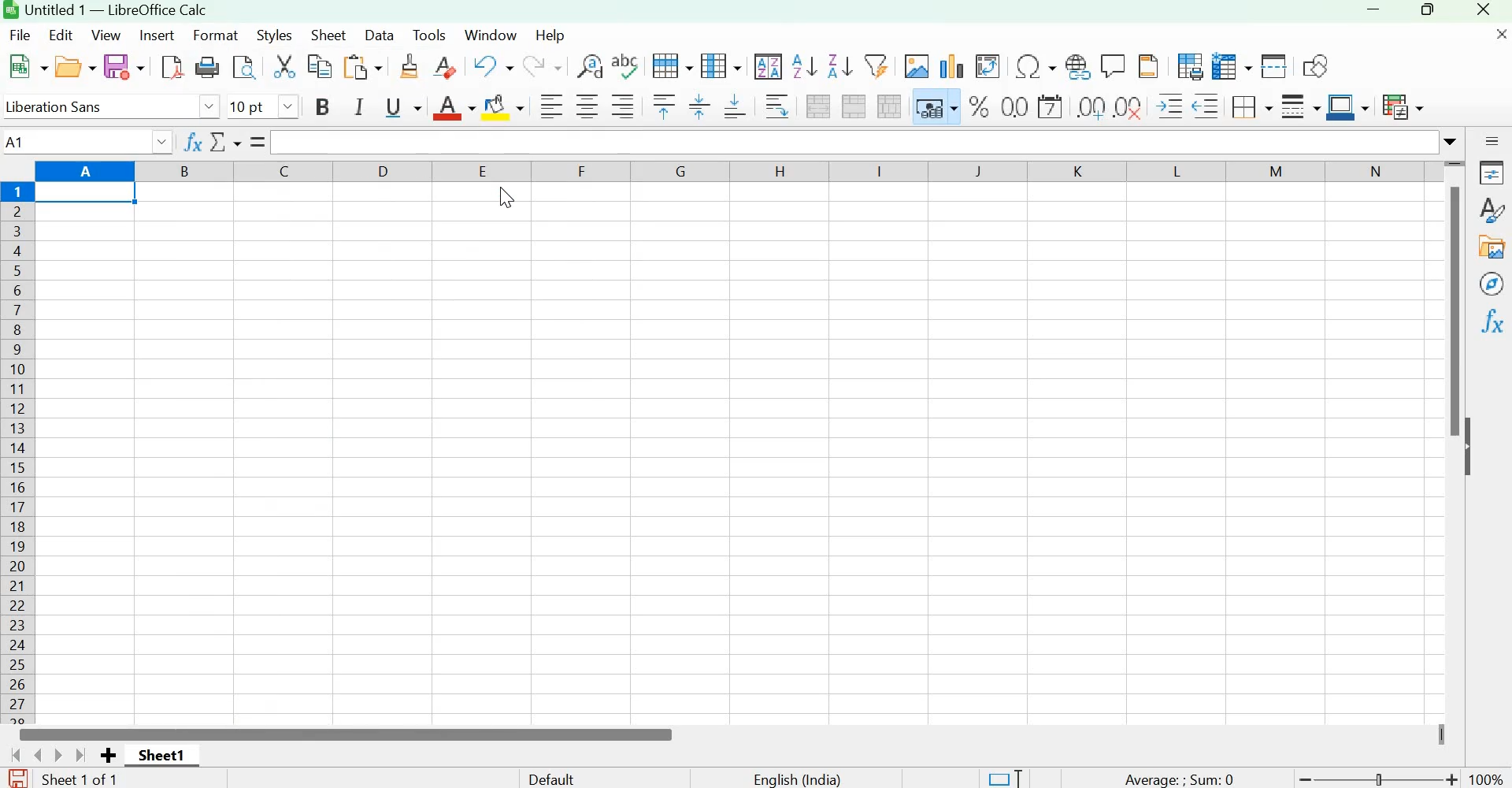 The height and width of the screenshot is (788, 1512). I want to click on 100%, so click(1489, 779).